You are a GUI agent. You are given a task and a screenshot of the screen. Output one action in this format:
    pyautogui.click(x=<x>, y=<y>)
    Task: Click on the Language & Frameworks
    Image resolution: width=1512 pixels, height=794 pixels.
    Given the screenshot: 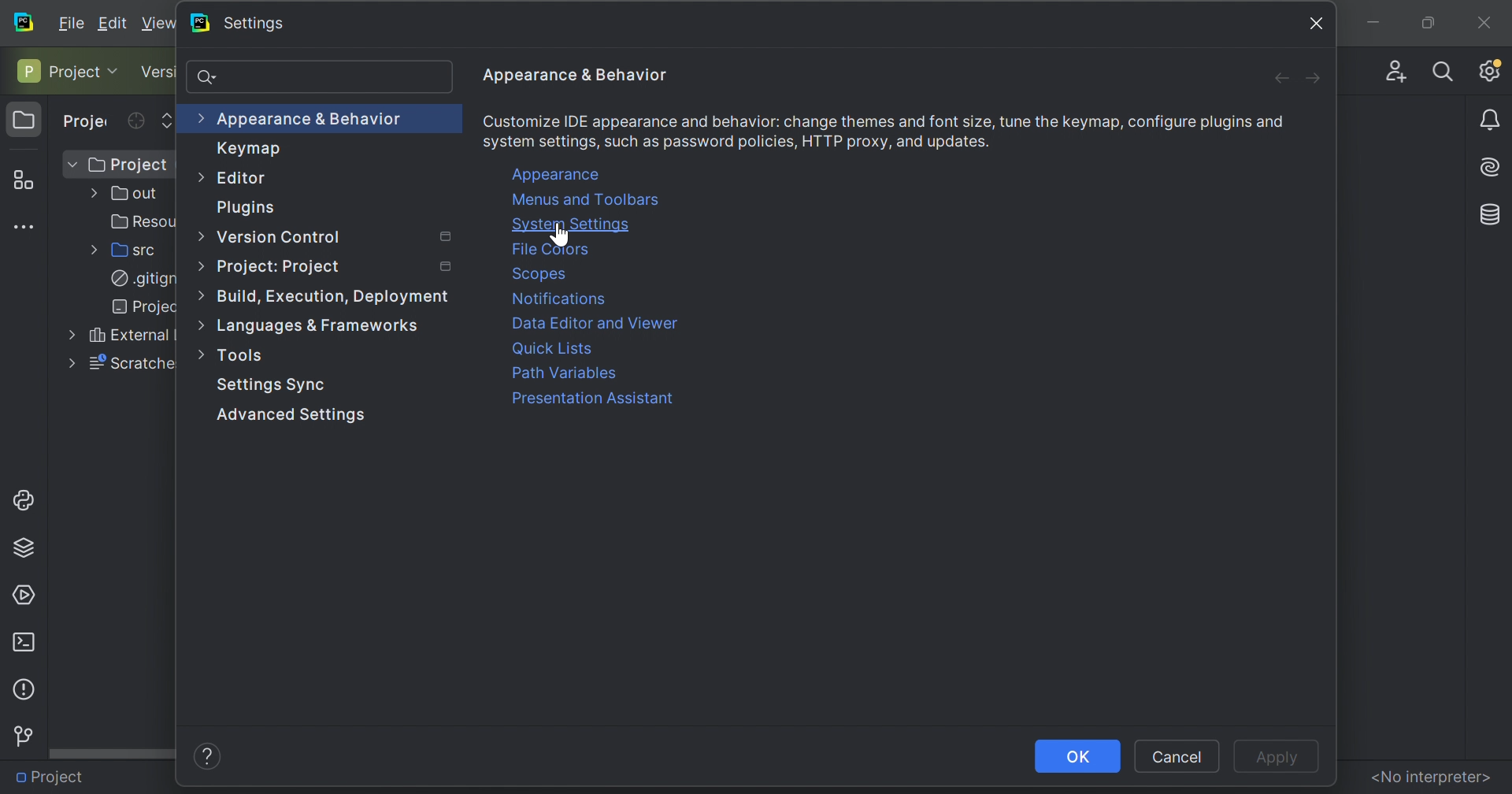 What is the action you would take?
    pyautogui.click(x=324, y=328)
    